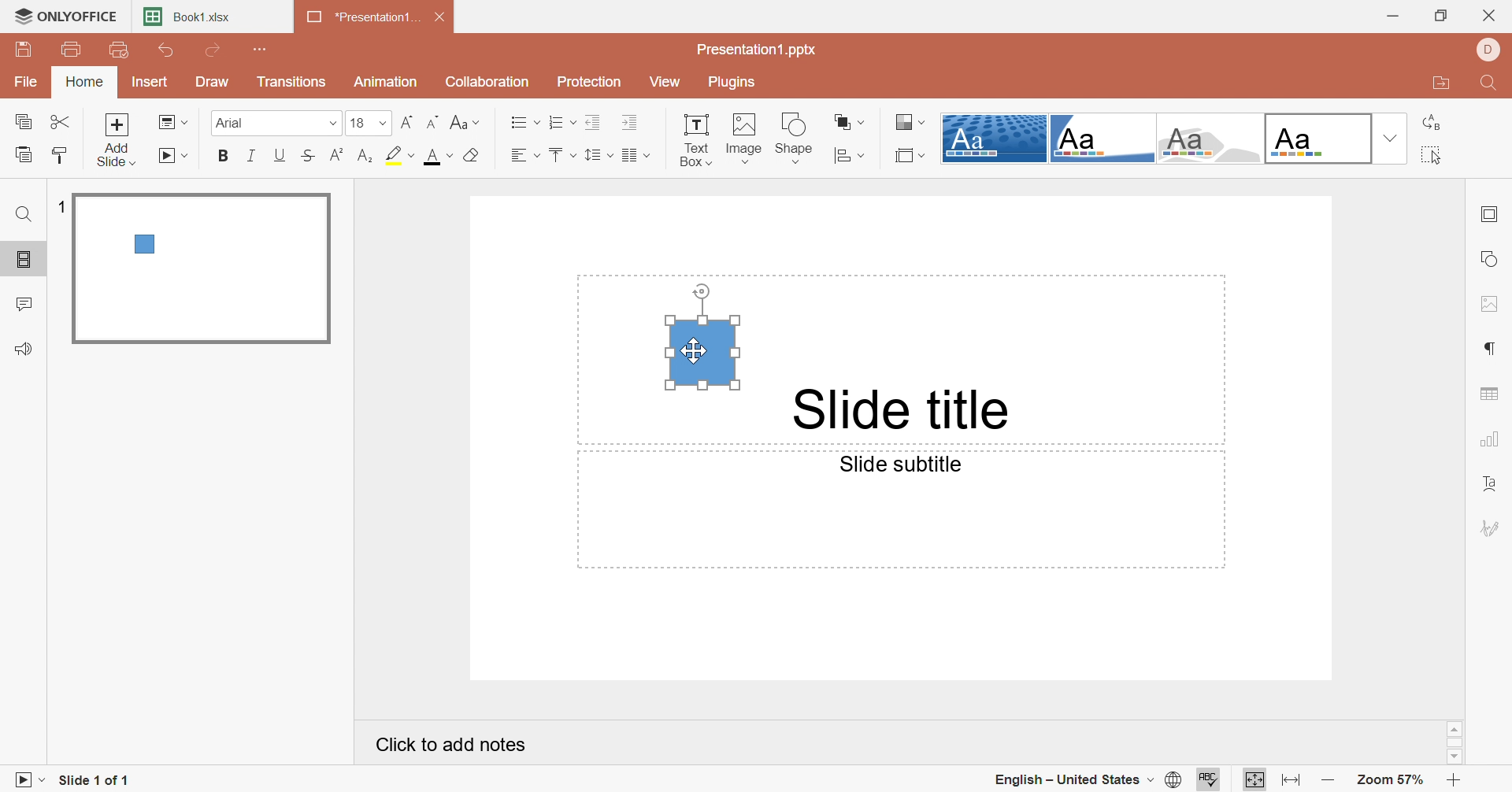  I want to click on Decrement font size, so click(432, 123).